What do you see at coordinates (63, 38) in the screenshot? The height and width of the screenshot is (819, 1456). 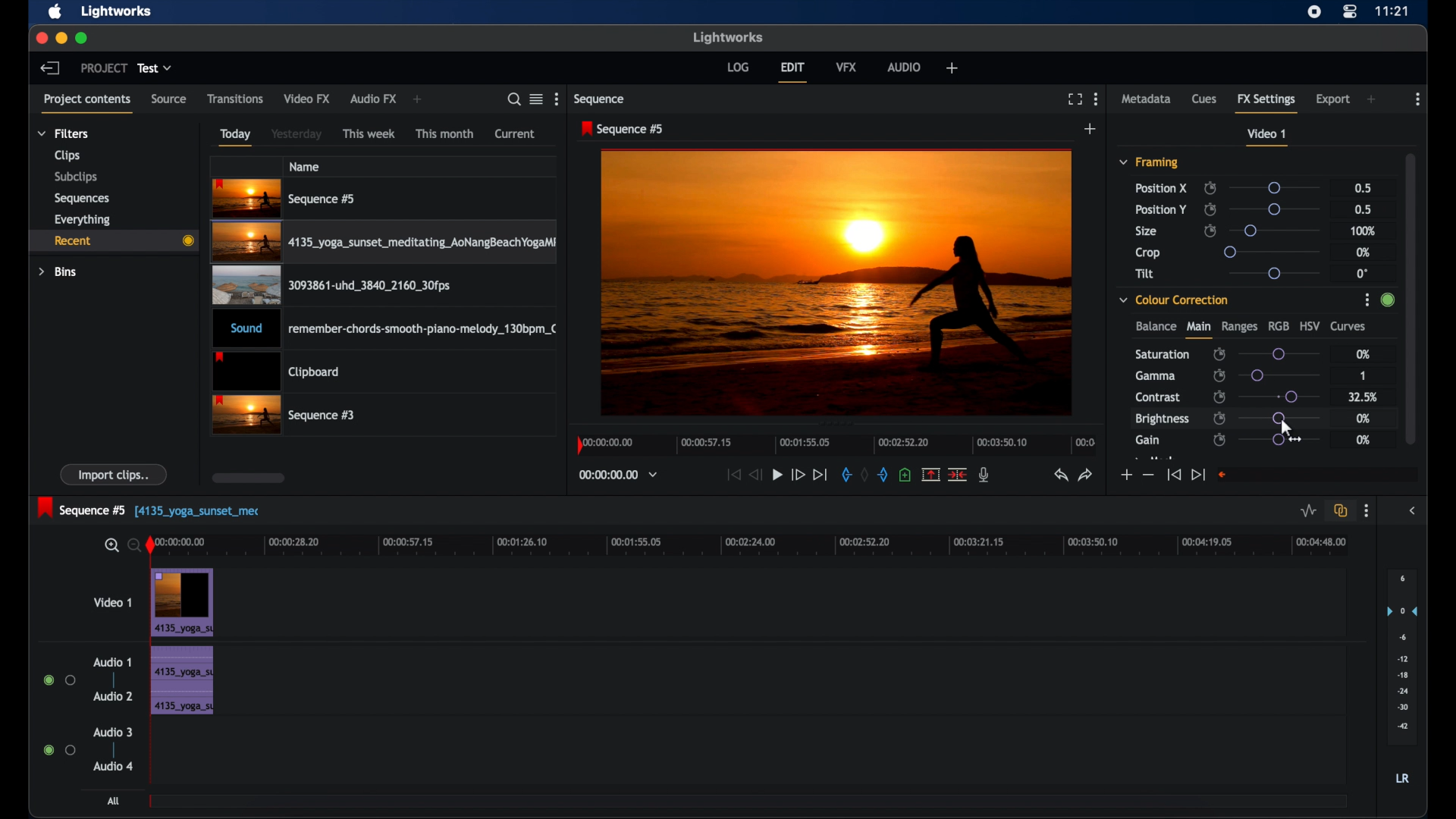 I see `minimize` at bounding box center [63, 38].